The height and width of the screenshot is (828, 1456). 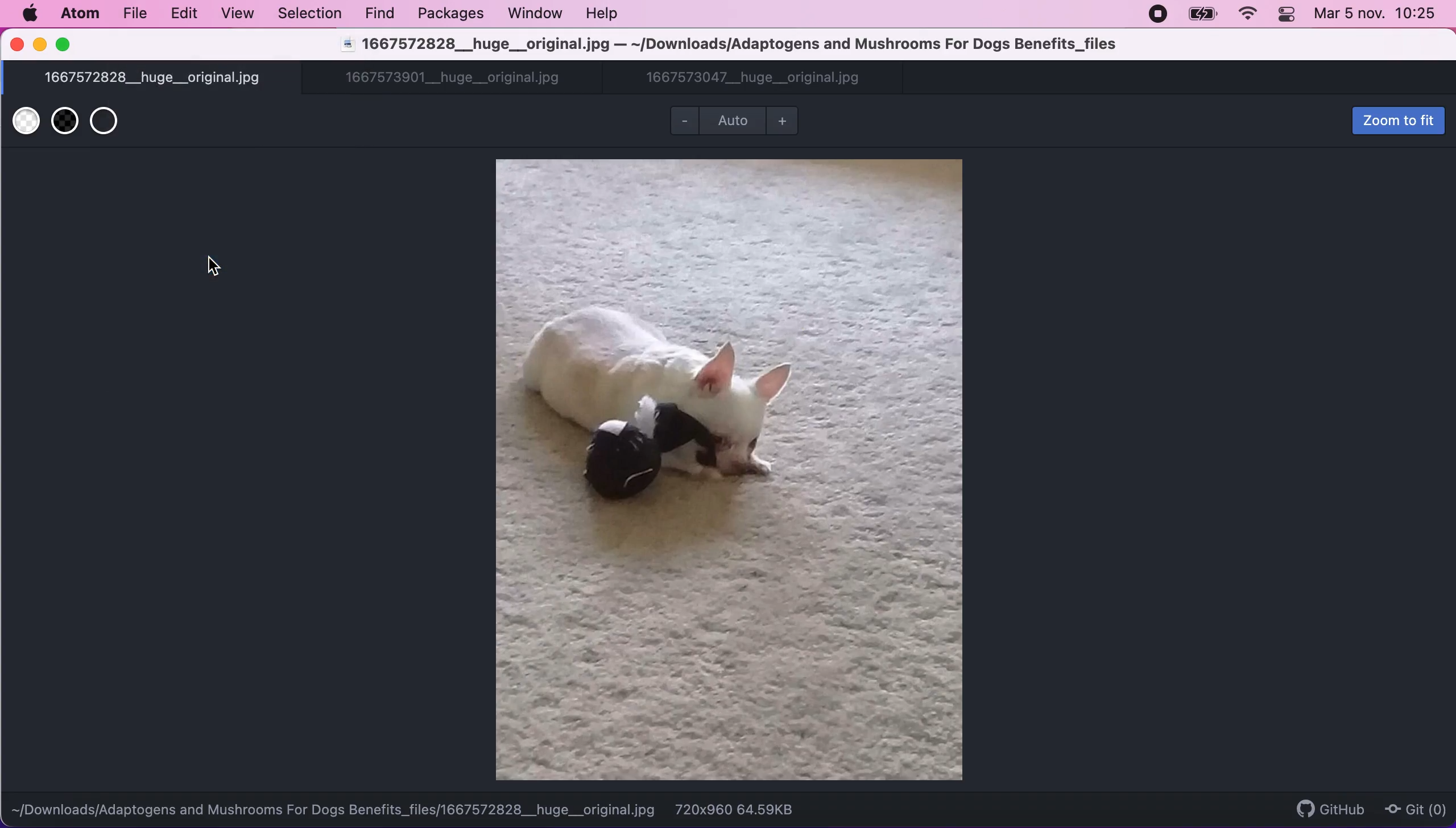 I want to click on ~/Downloads/Adaptogens and Mushrooms For Dogs Benefits_files/1667572828__huge__original.jpg, so click(x=334, y=810).